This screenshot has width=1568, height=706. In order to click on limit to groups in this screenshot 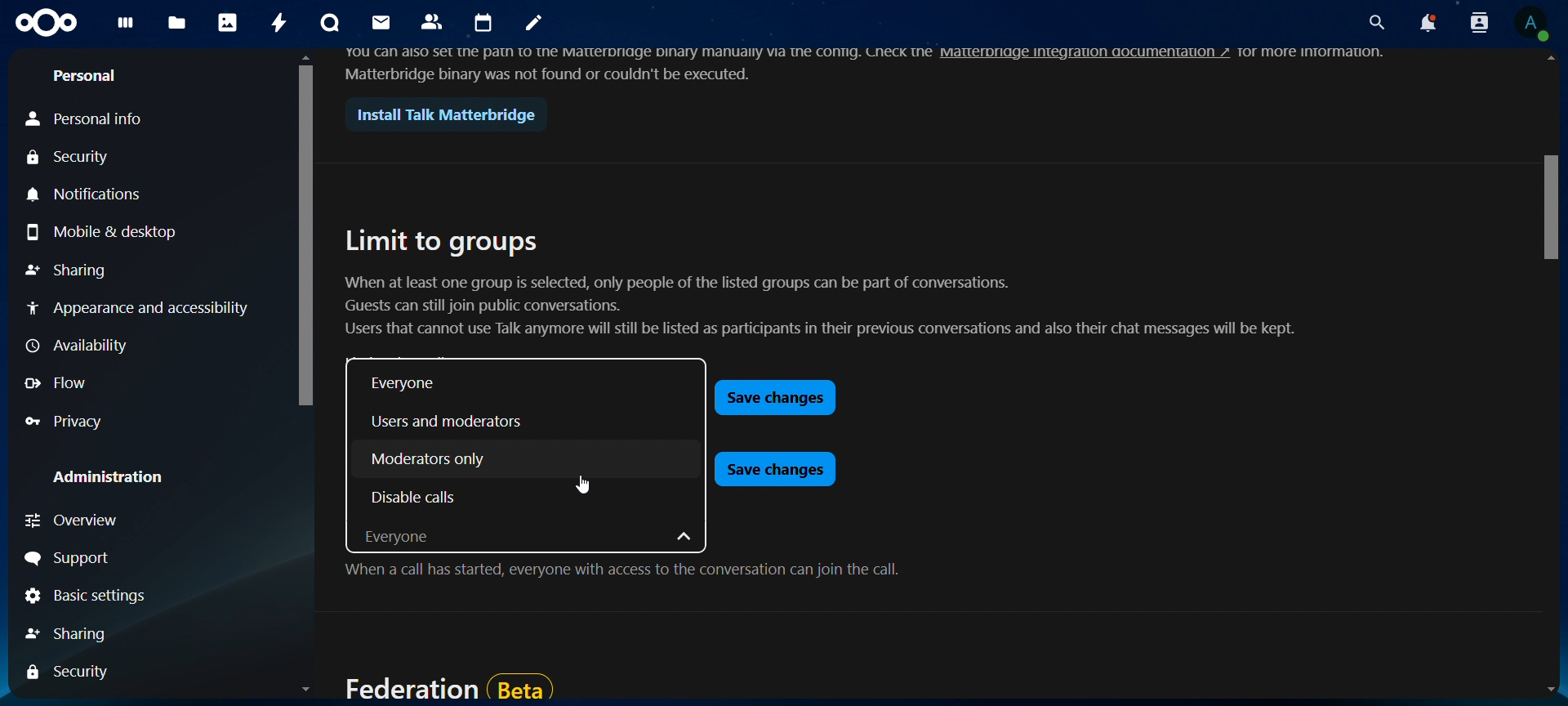, I will do `click(442, 242)`.